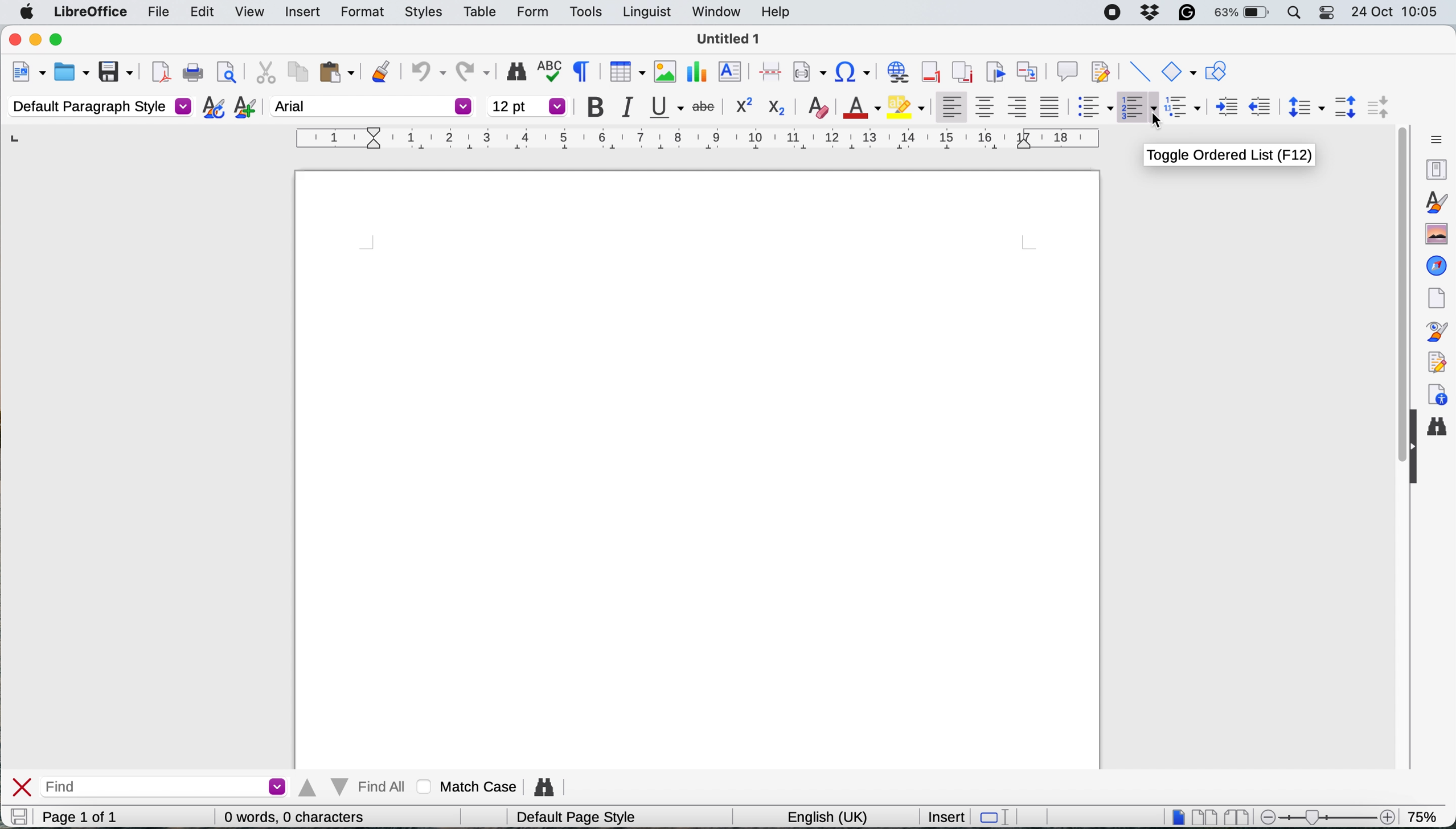  What do you see at coordinates (897, 73) in the screenshot?
I see `insert hyperlink` at bounding box center [897, 73].